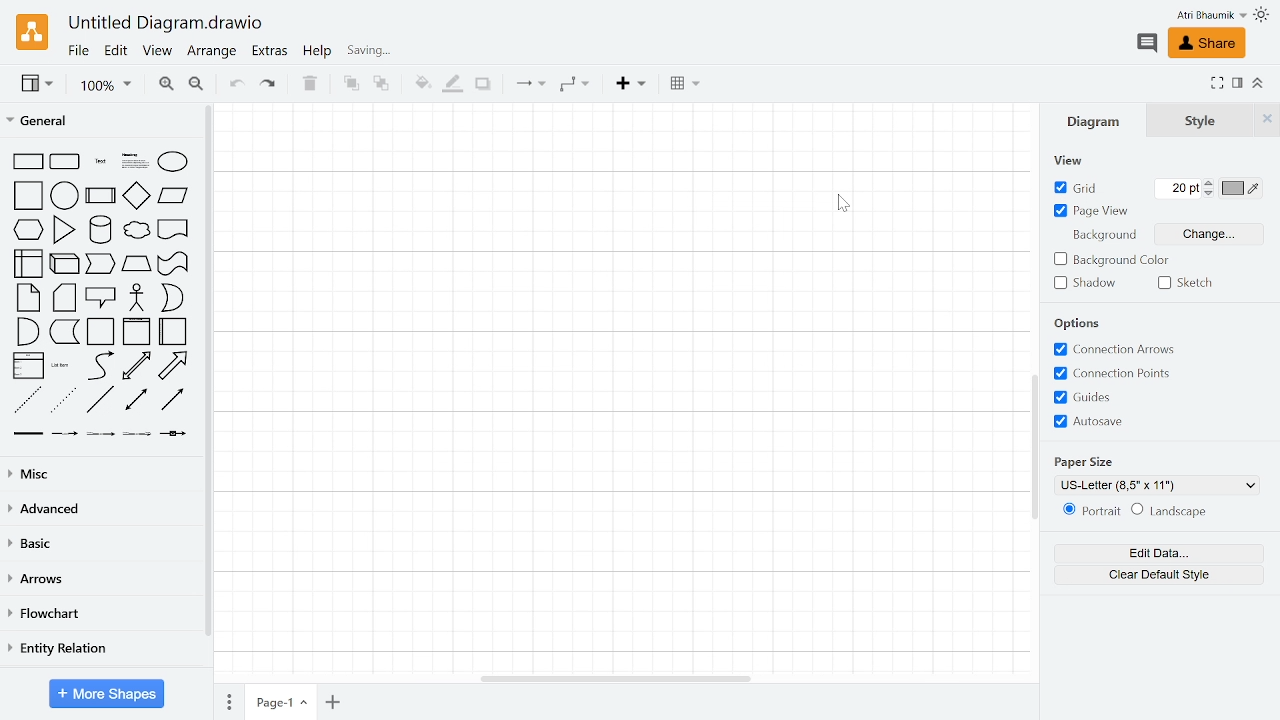 The width and height of the screenshot is (1280, 720). What do you see at coordinates (1178, 190) in the screenshot?
I see `Current grid pts` at bounding box center [1178, 190].